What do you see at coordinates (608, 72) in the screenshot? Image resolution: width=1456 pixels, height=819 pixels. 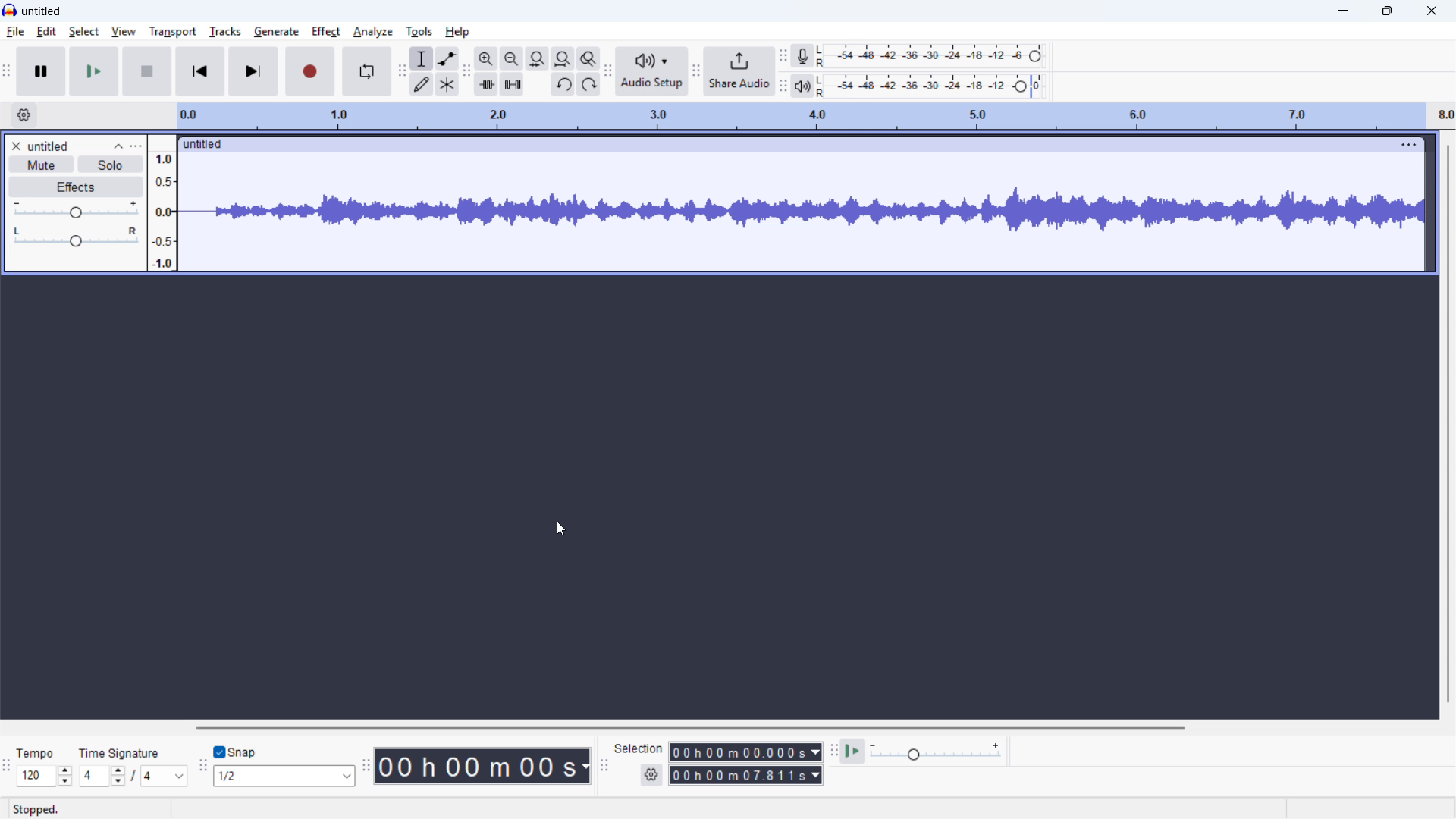 I see `Audio setup toolbar ` at bounding box center [608, 72].